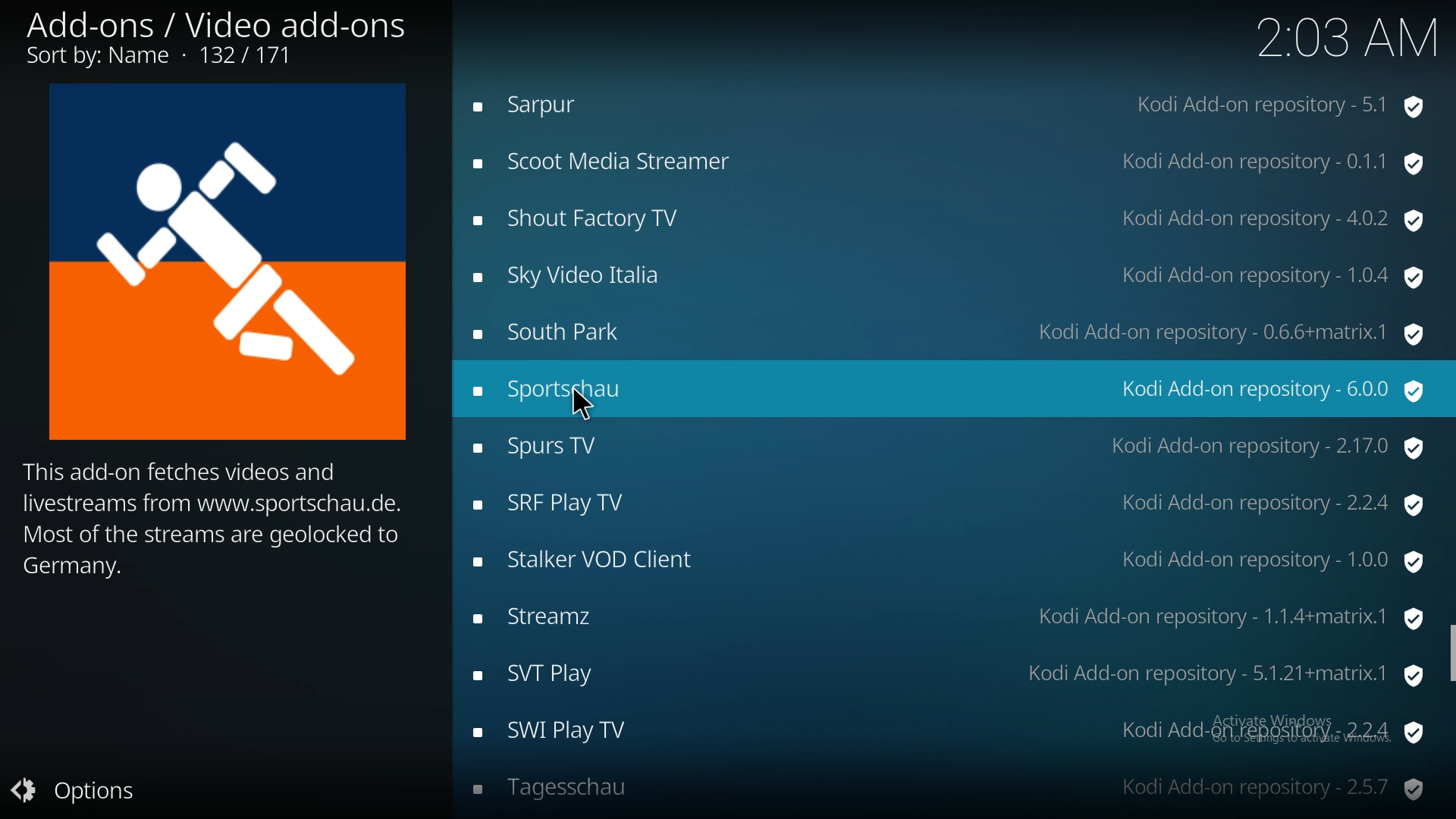  Describe the element at coordinates (956, 278) in the screenshot. I see `sky video italia` at that location.